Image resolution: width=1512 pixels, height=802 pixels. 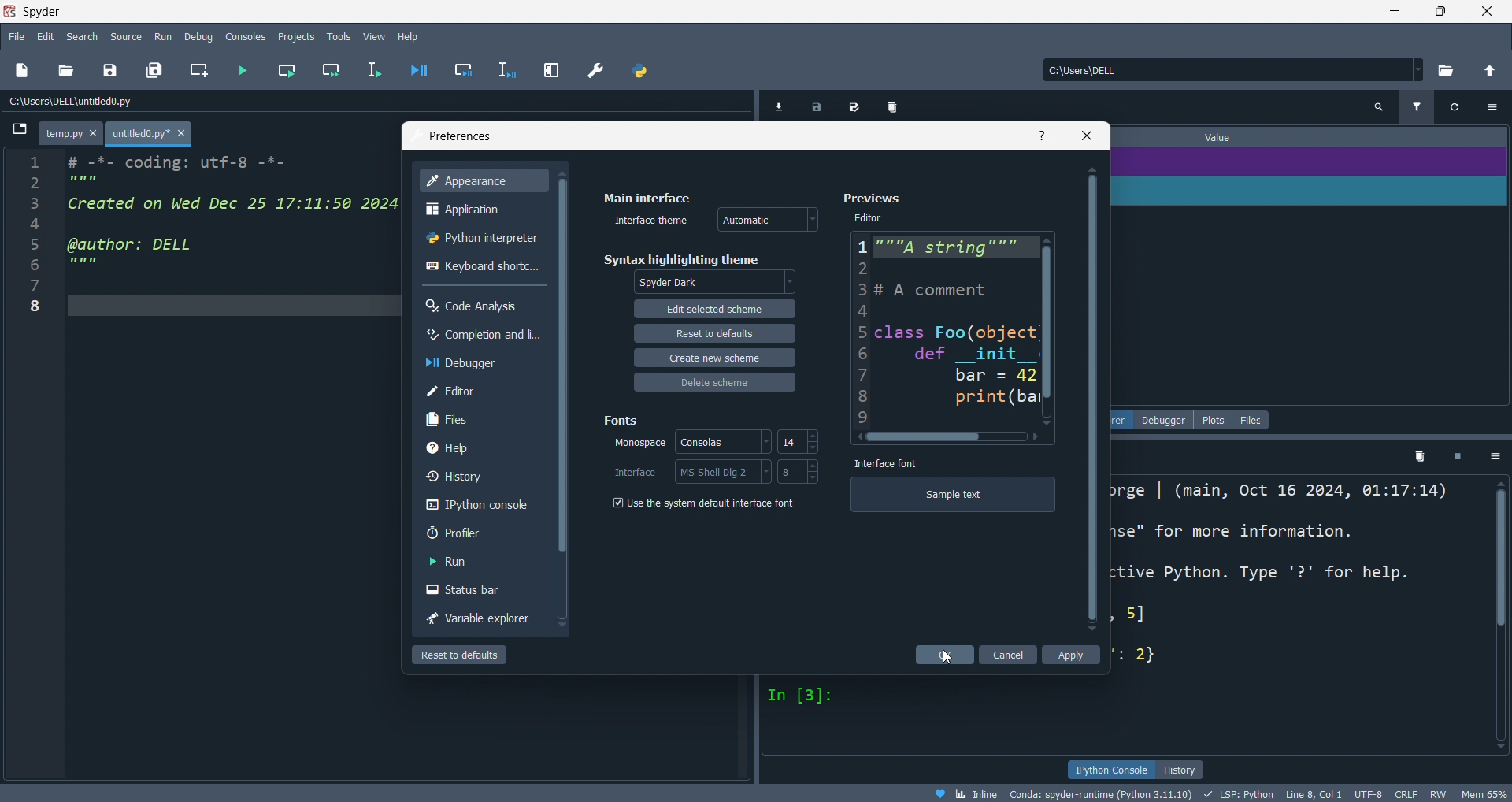 What do you see at coordinates (156, 161) in the screenshot?
I see `1 # -*- coding: utf-8 -*-` at bounding box center [156, 161].